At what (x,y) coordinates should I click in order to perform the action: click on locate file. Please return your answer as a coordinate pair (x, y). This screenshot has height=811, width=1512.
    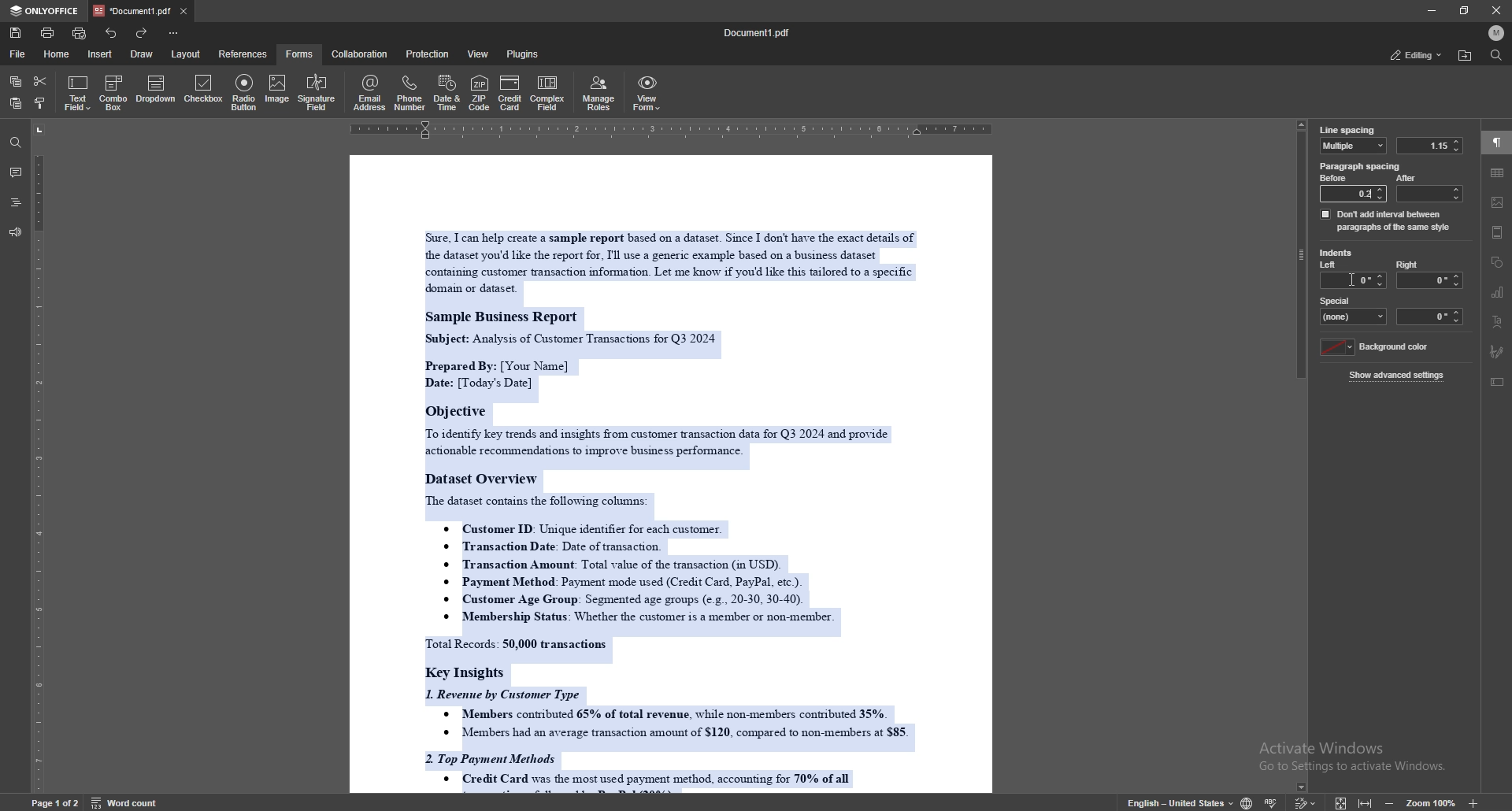
    Looking at the image, I should click on (1465, 56).